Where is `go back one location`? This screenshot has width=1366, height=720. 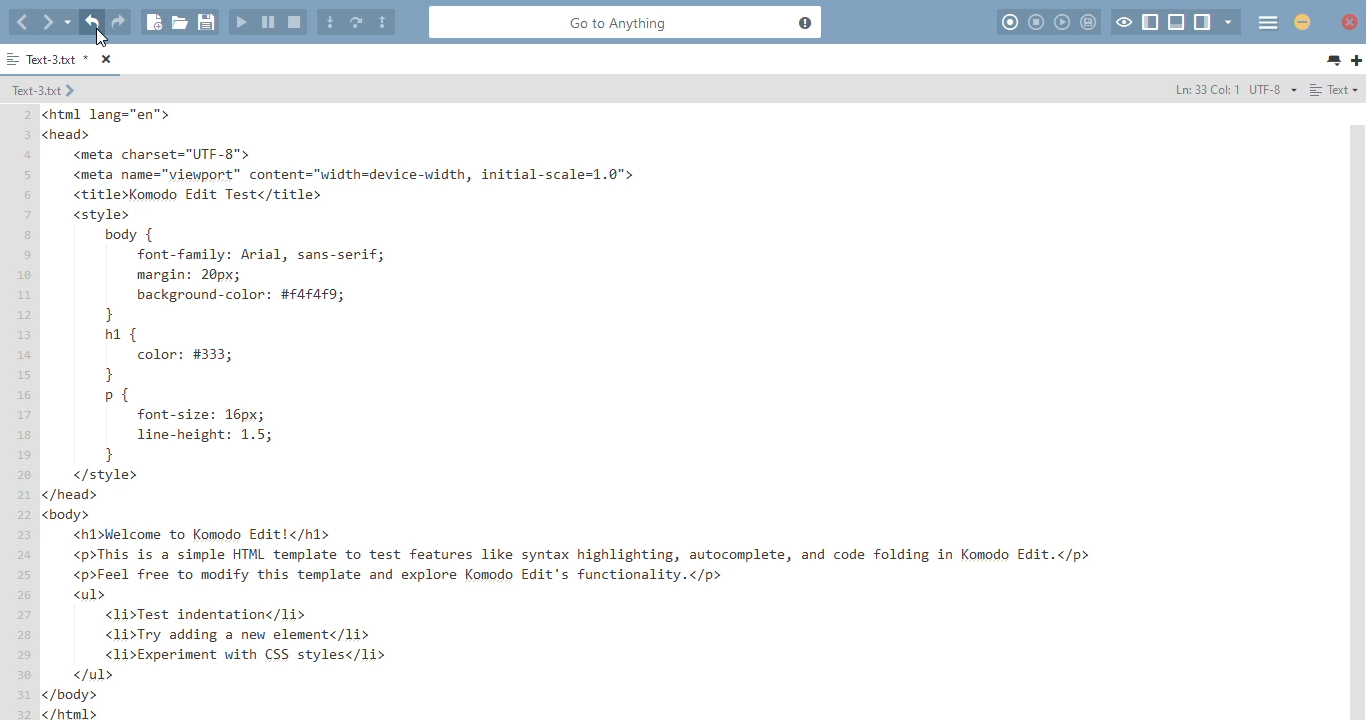 go back one location is located at coordinates (22, 23).